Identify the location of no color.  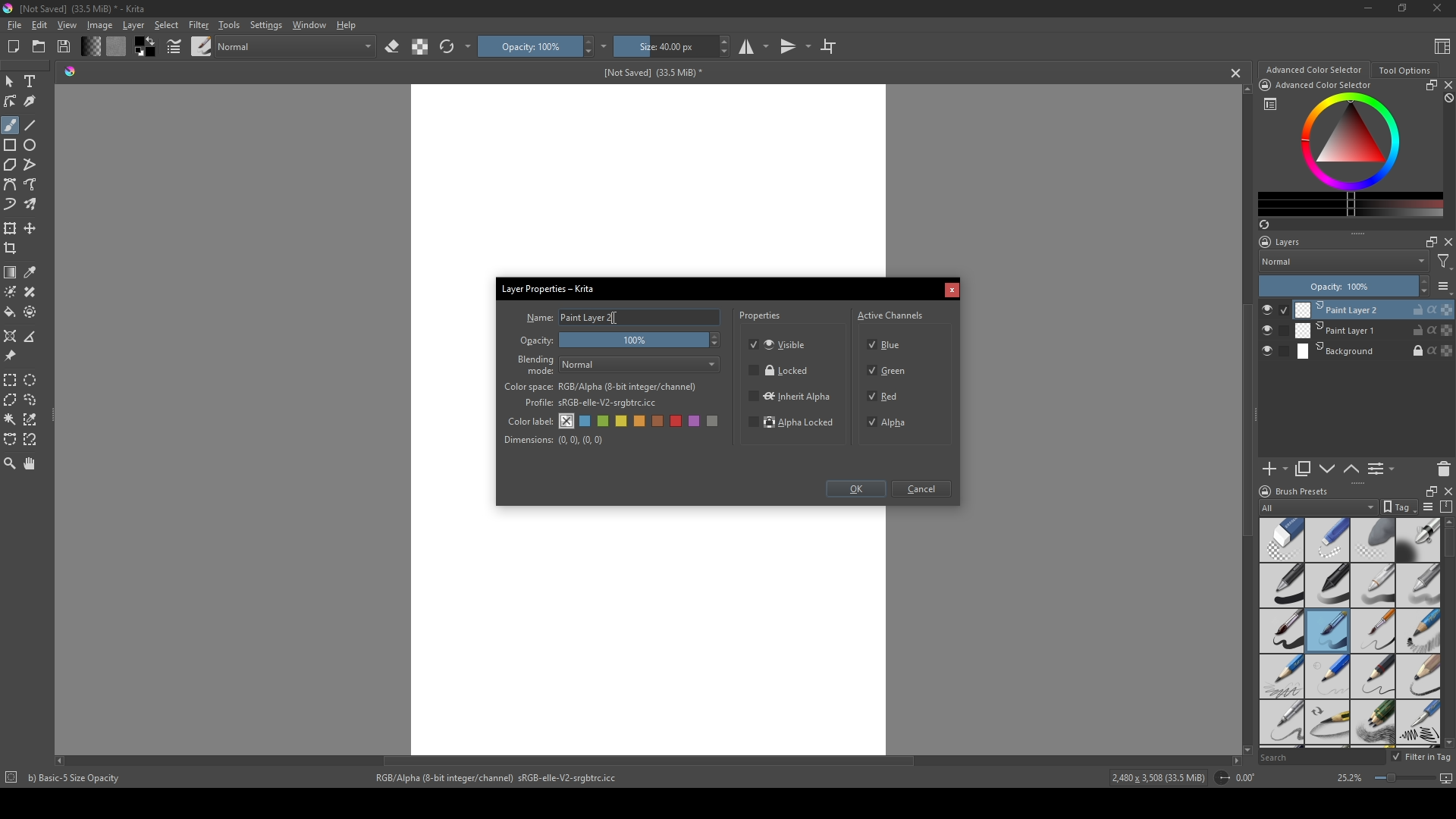
(567, 421).